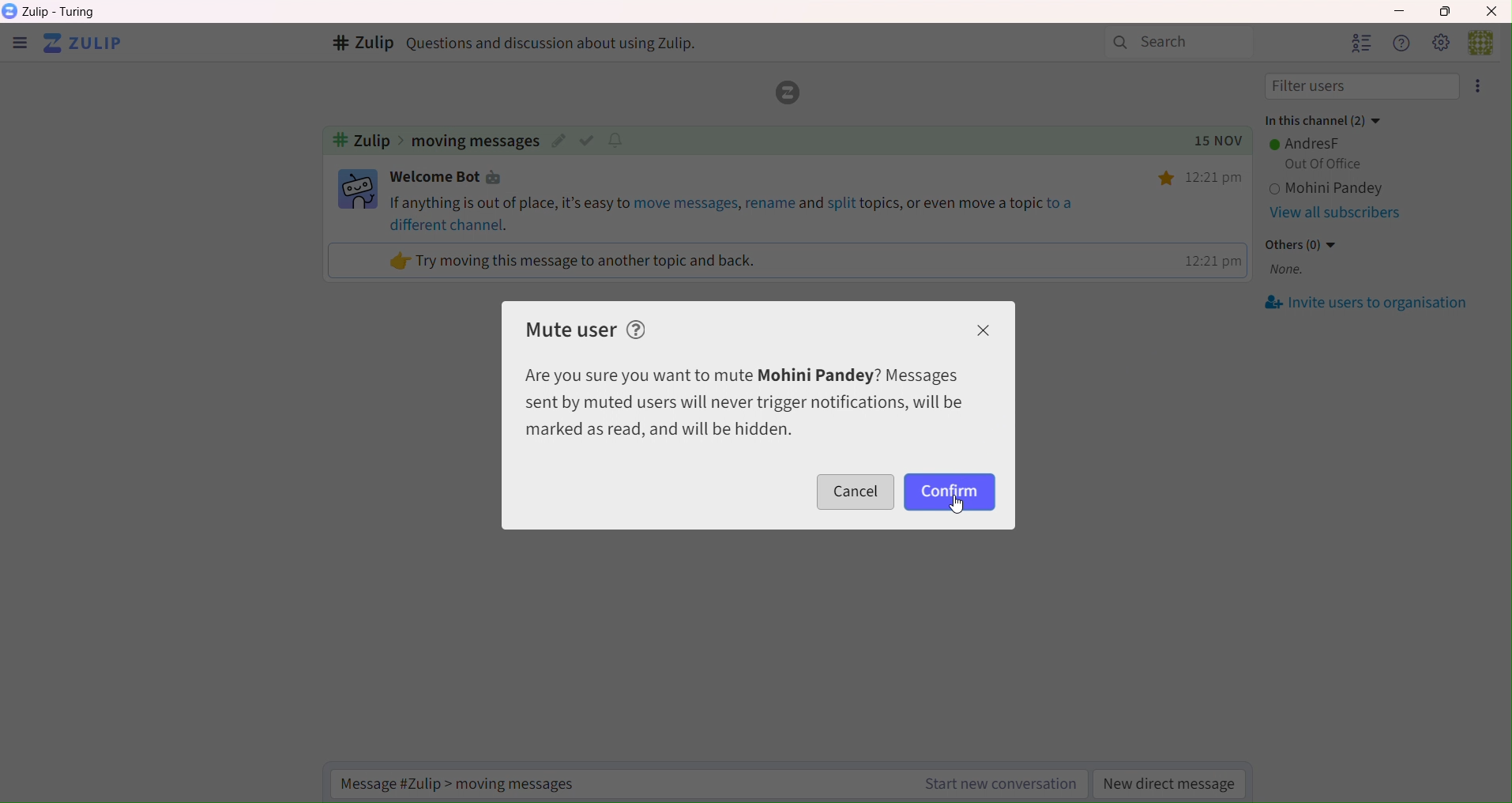 The height and width of the screenshot is (803, 1512). What do you see at coordinates (1168, 179) in the screenshot?
I see `` at bounding box center [1168, 179].